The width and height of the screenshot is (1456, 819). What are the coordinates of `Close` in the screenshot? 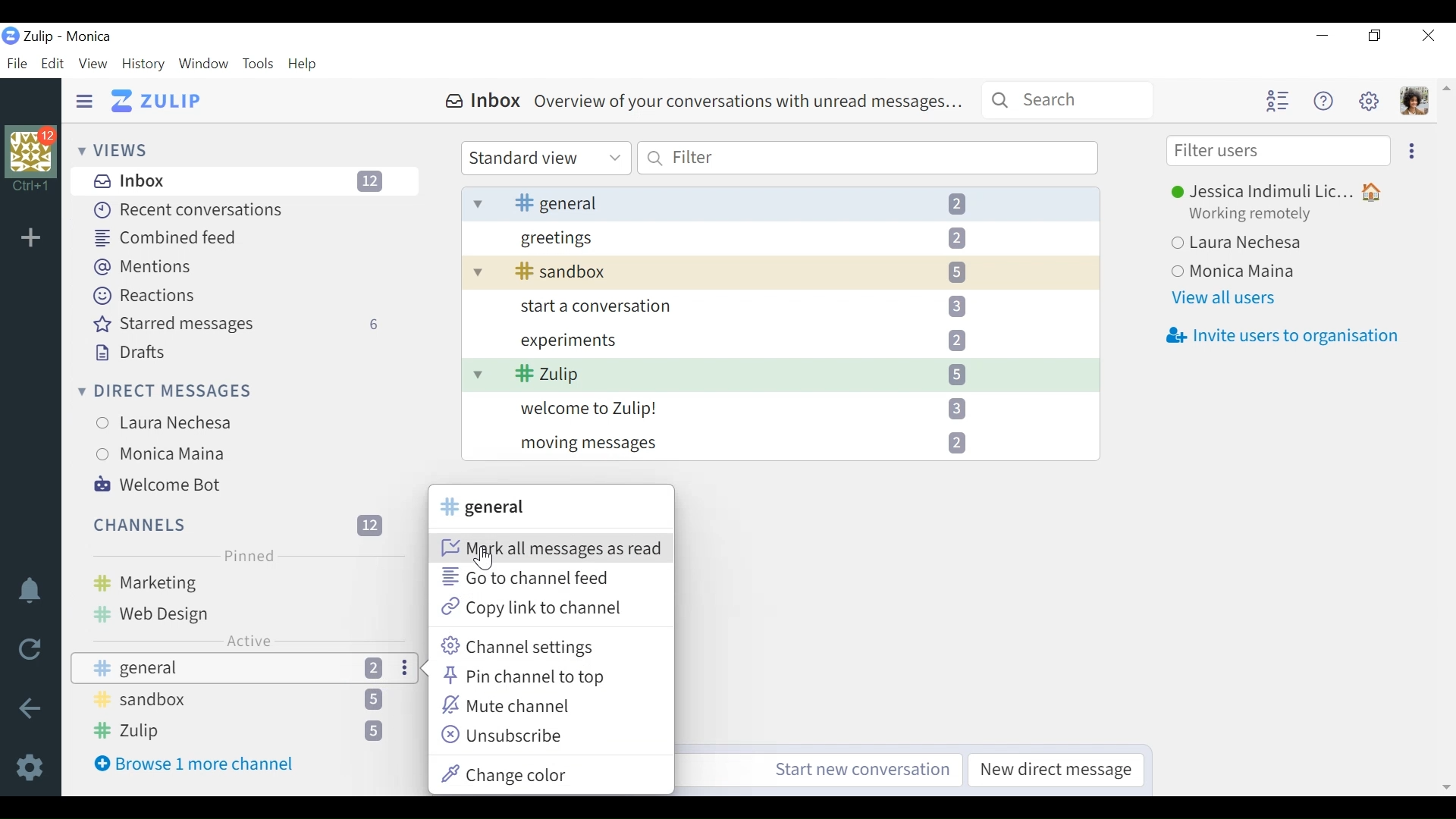 It's located at (1430, 35).